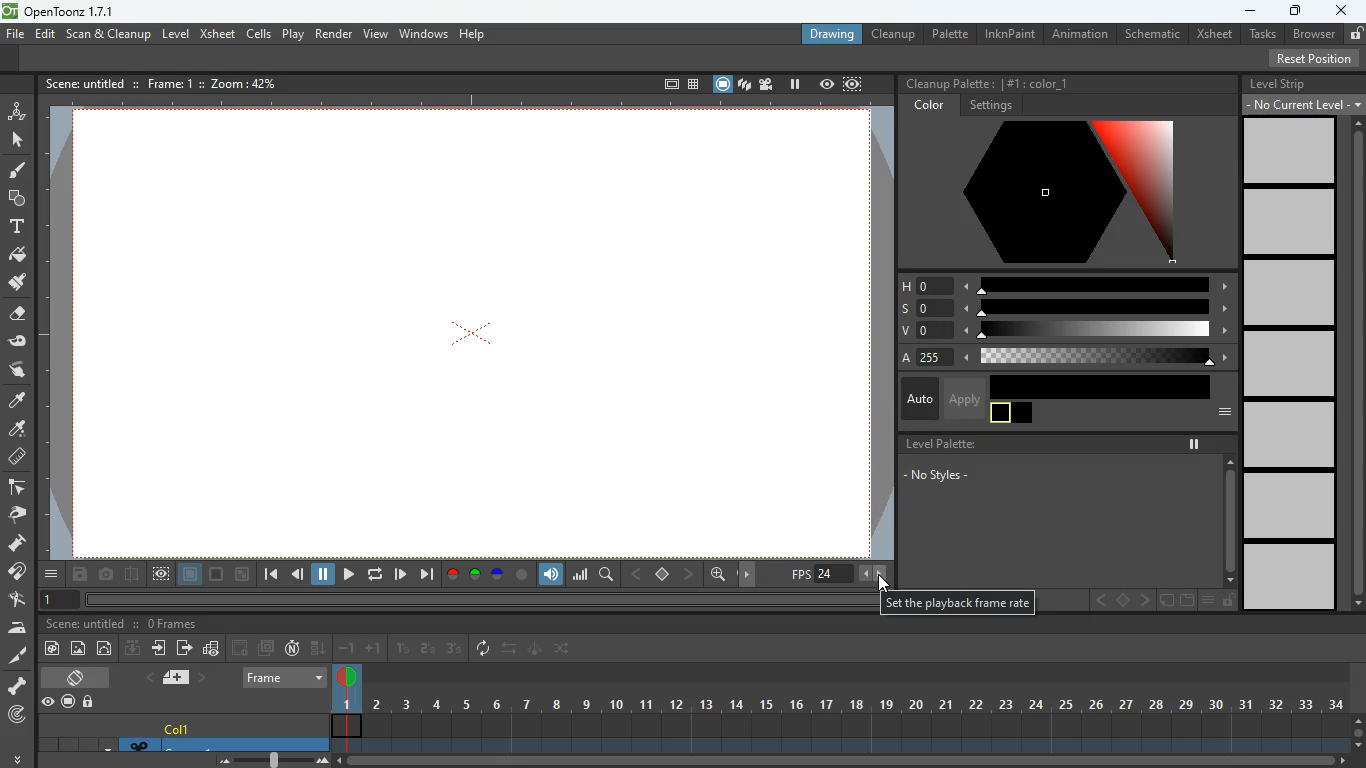 This screenshot has height=768, width=1366. What do you see at coordinates (1246, 10) in the screenshot?
I see `minimize` at bounding box center [1246, 10].